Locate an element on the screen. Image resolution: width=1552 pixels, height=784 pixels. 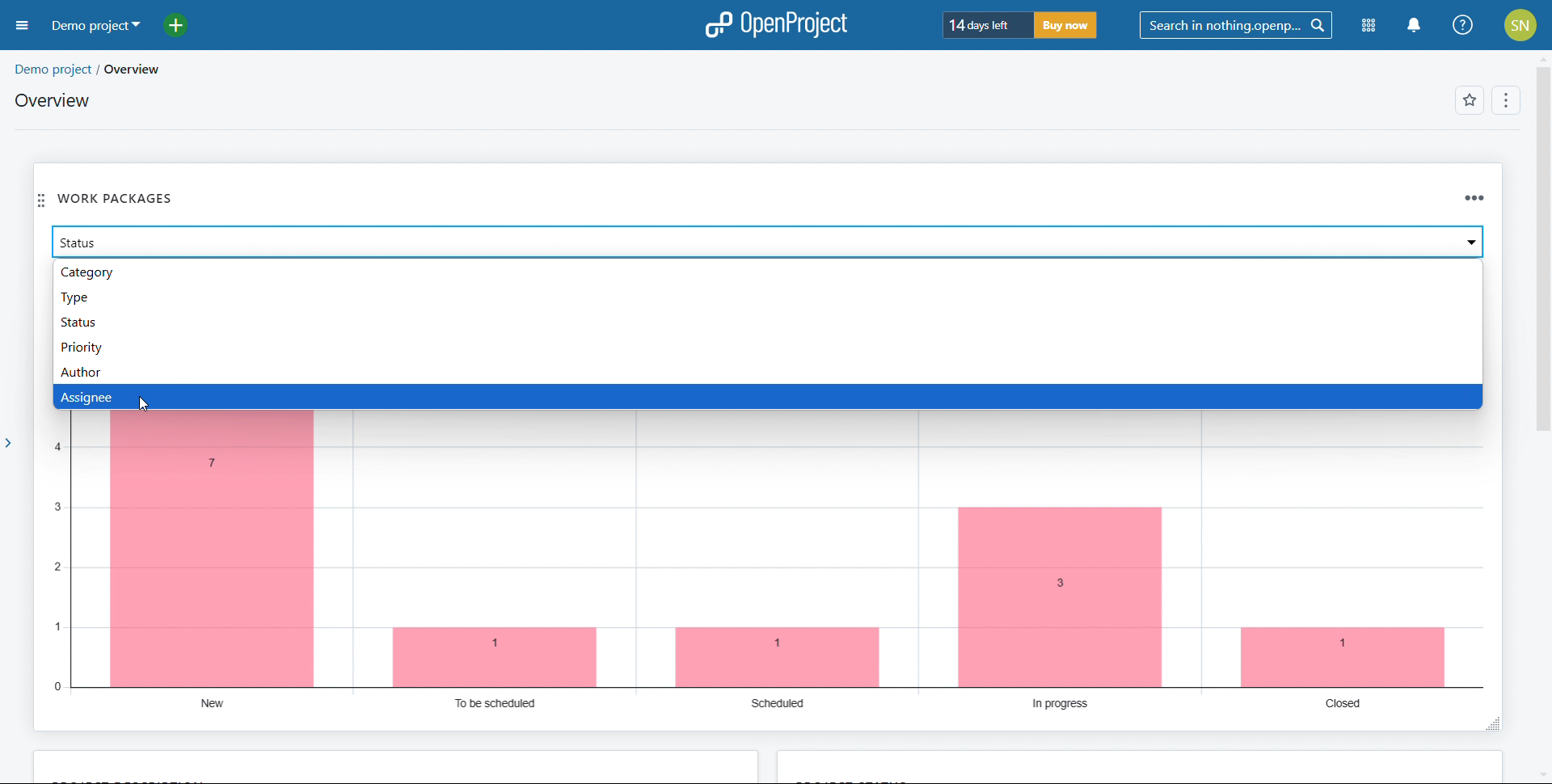
work packages is located at coordinates (116, 196).